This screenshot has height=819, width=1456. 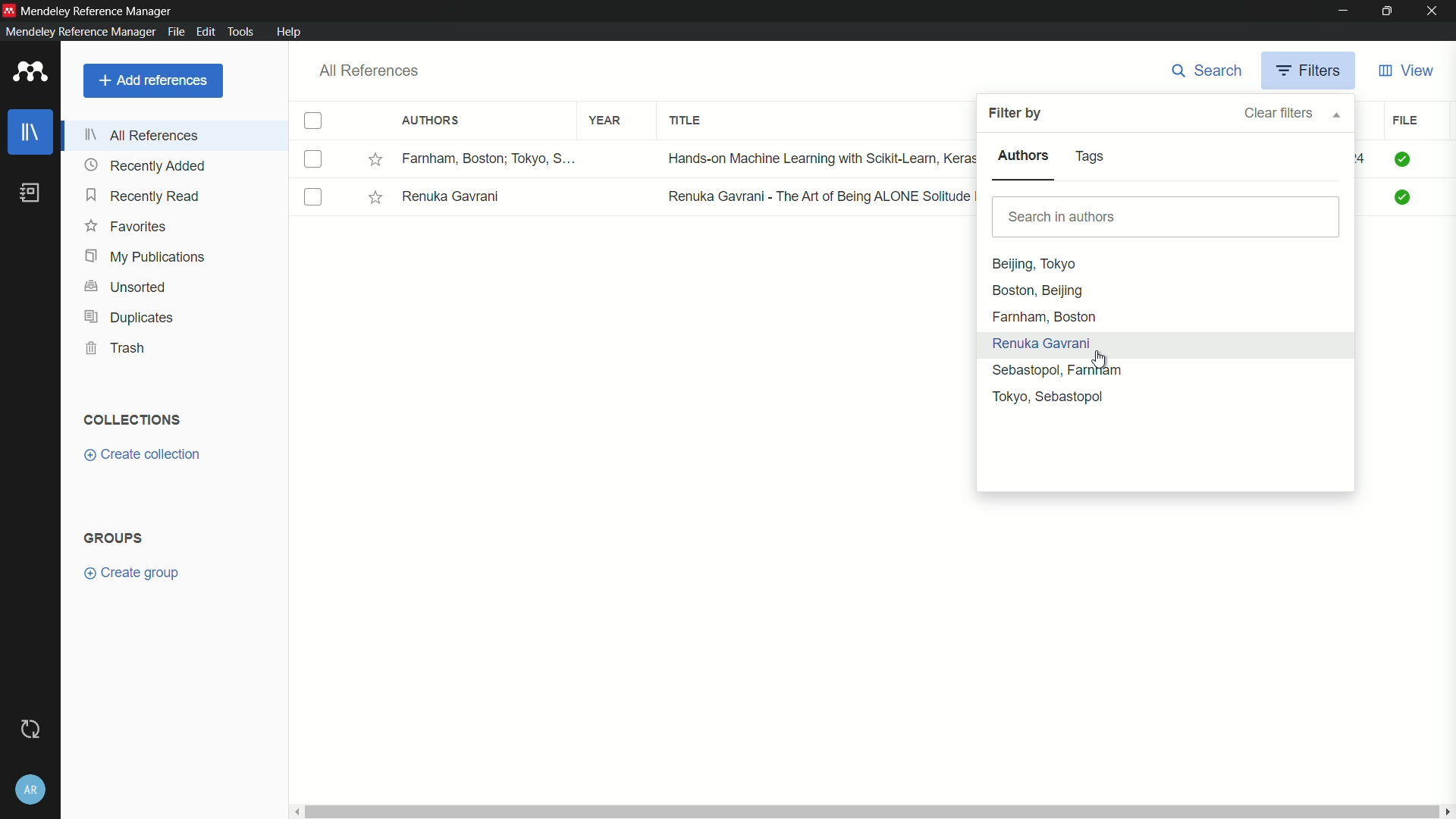 What do you see at coordinates (374, 158) in the screenshot?
I see `Starred` at bounding box center [374, 158].